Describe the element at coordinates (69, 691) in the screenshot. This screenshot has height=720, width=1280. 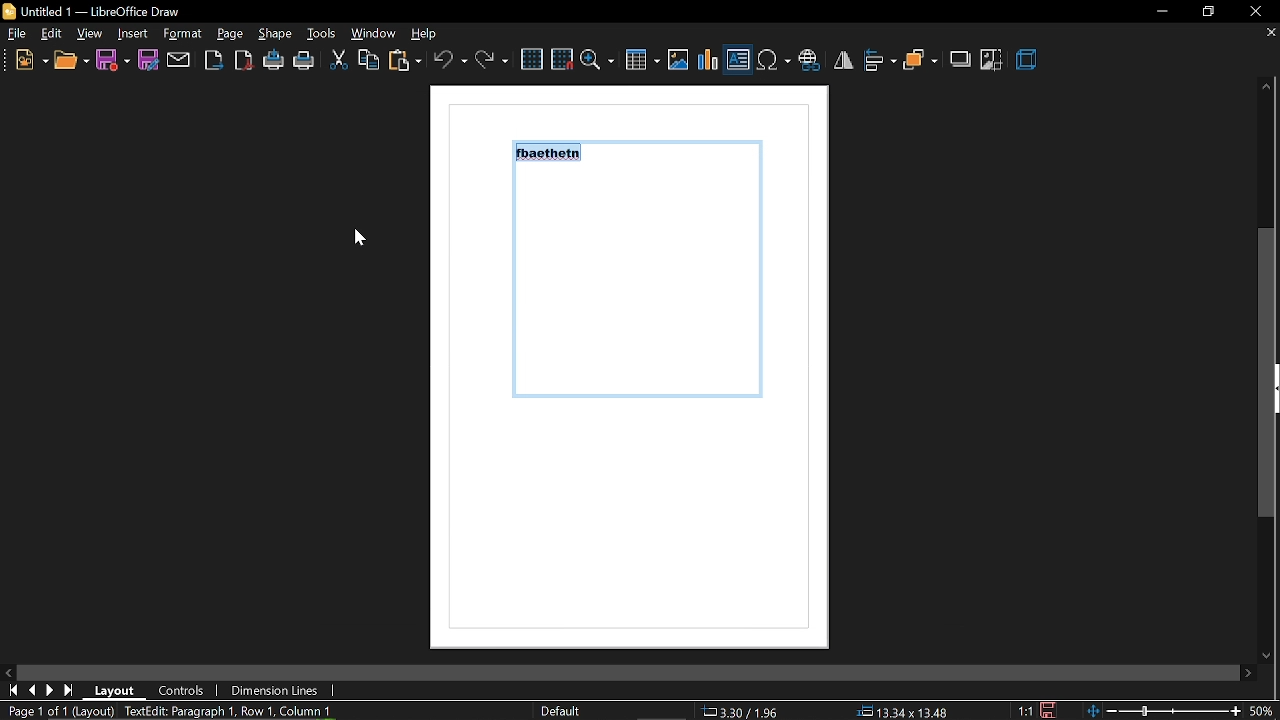
I see `go to last page` at that location.